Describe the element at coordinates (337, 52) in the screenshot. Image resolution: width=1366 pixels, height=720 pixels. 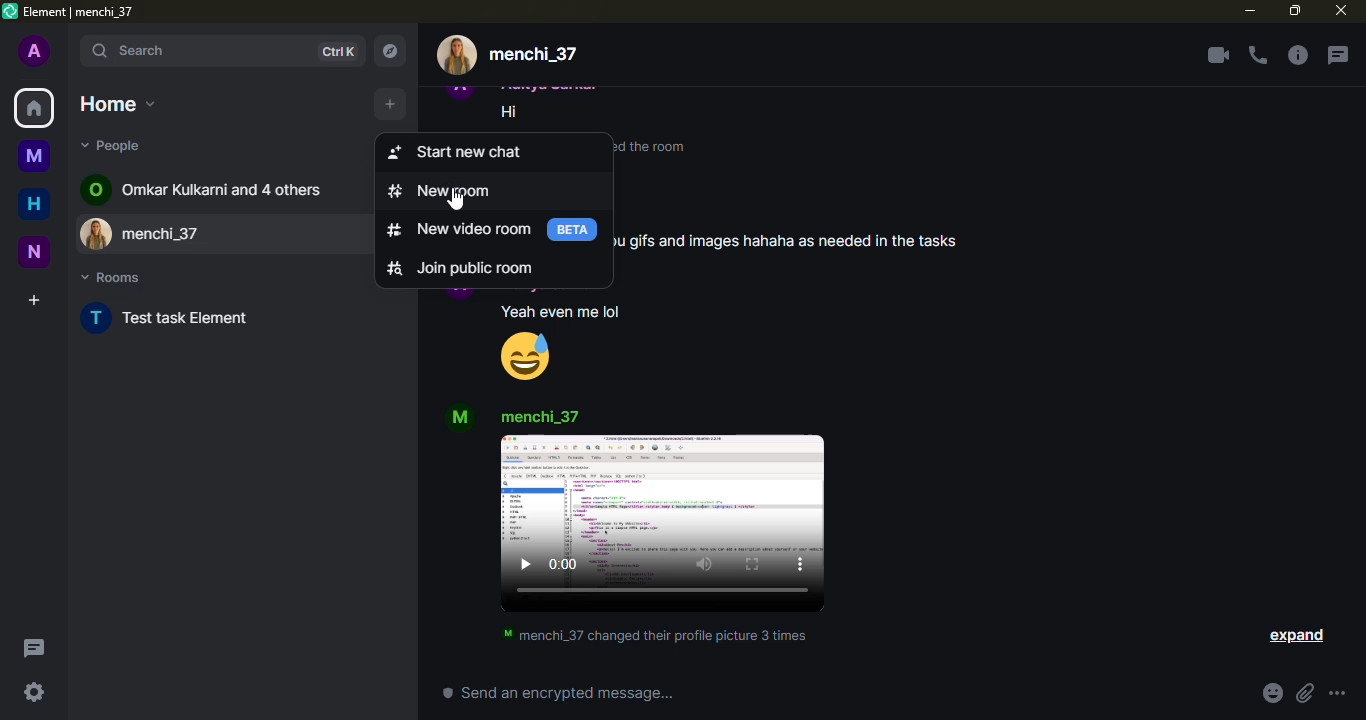
I see `ctrl K` at that location.